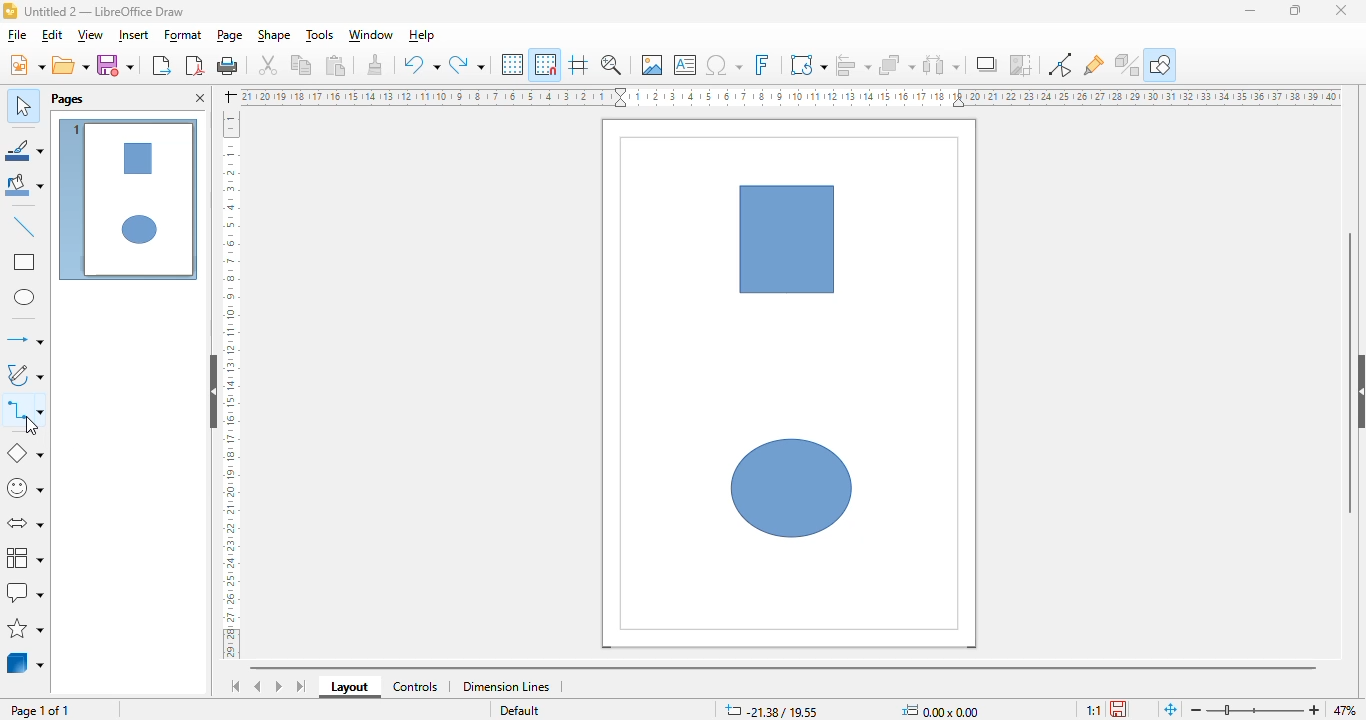 The width and height of the screenshot is (1366, 720). I want to click on insert text box, so click(685, 64).